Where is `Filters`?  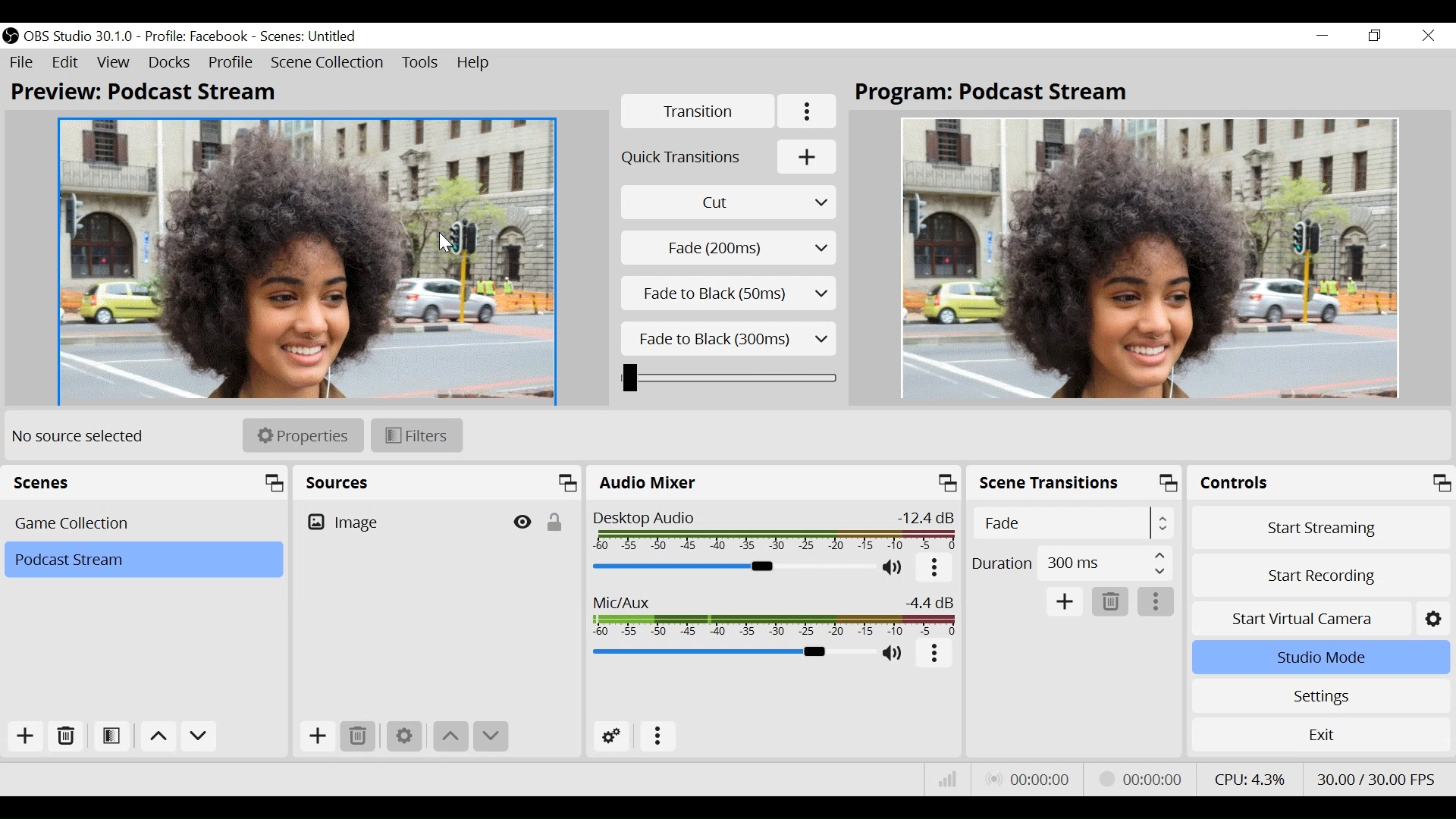 Filters is located at coordinates (418, 436).